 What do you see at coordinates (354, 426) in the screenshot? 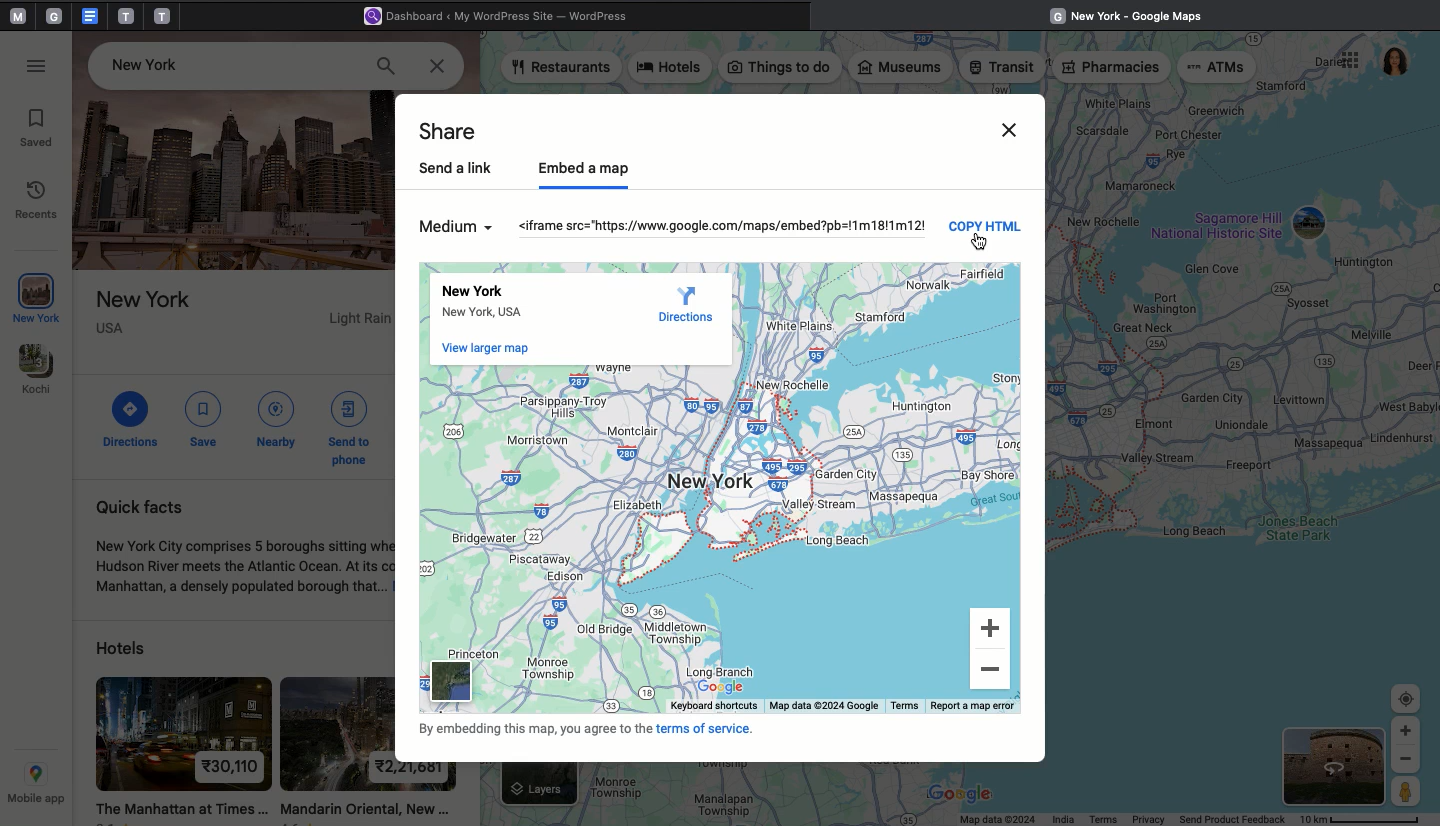
I see `Send to phone` at bounding box center [354, 426].